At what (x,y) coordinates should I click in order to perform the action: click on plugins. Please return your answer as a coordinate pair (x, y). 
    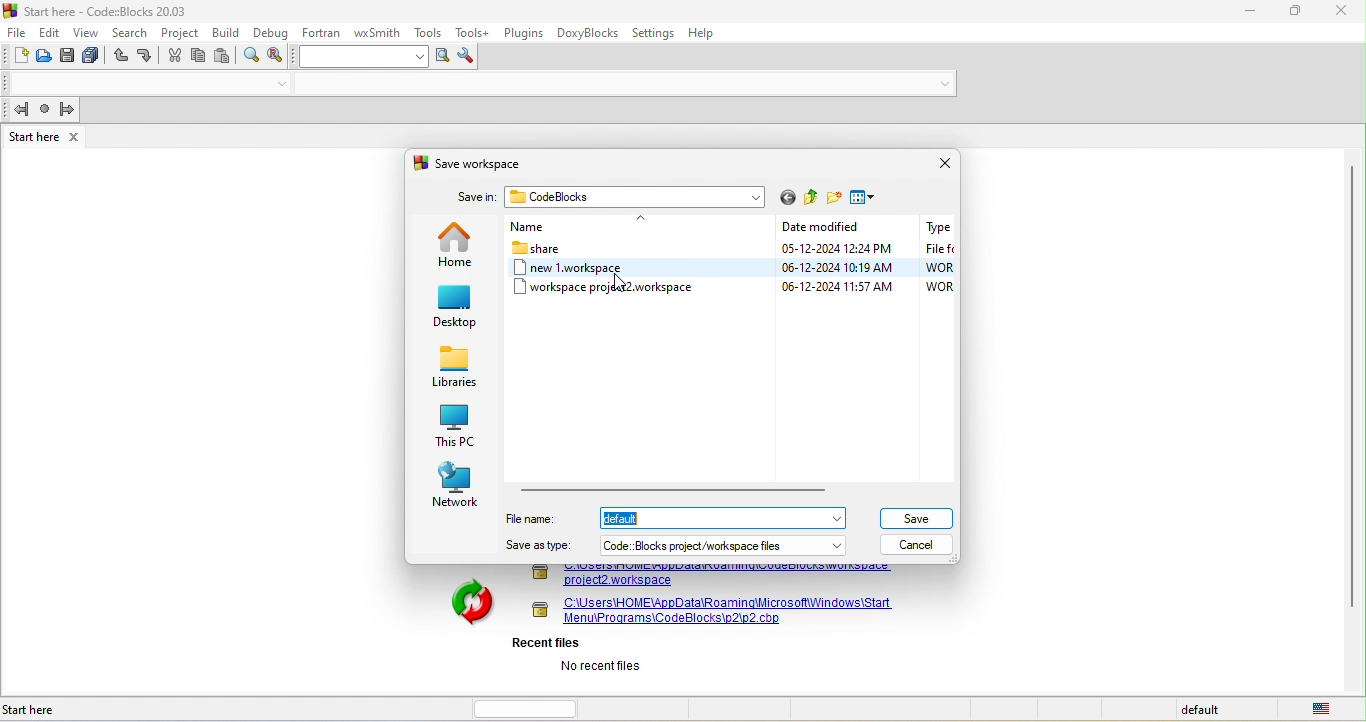
    Looking at the image, I should click on (523, 31).